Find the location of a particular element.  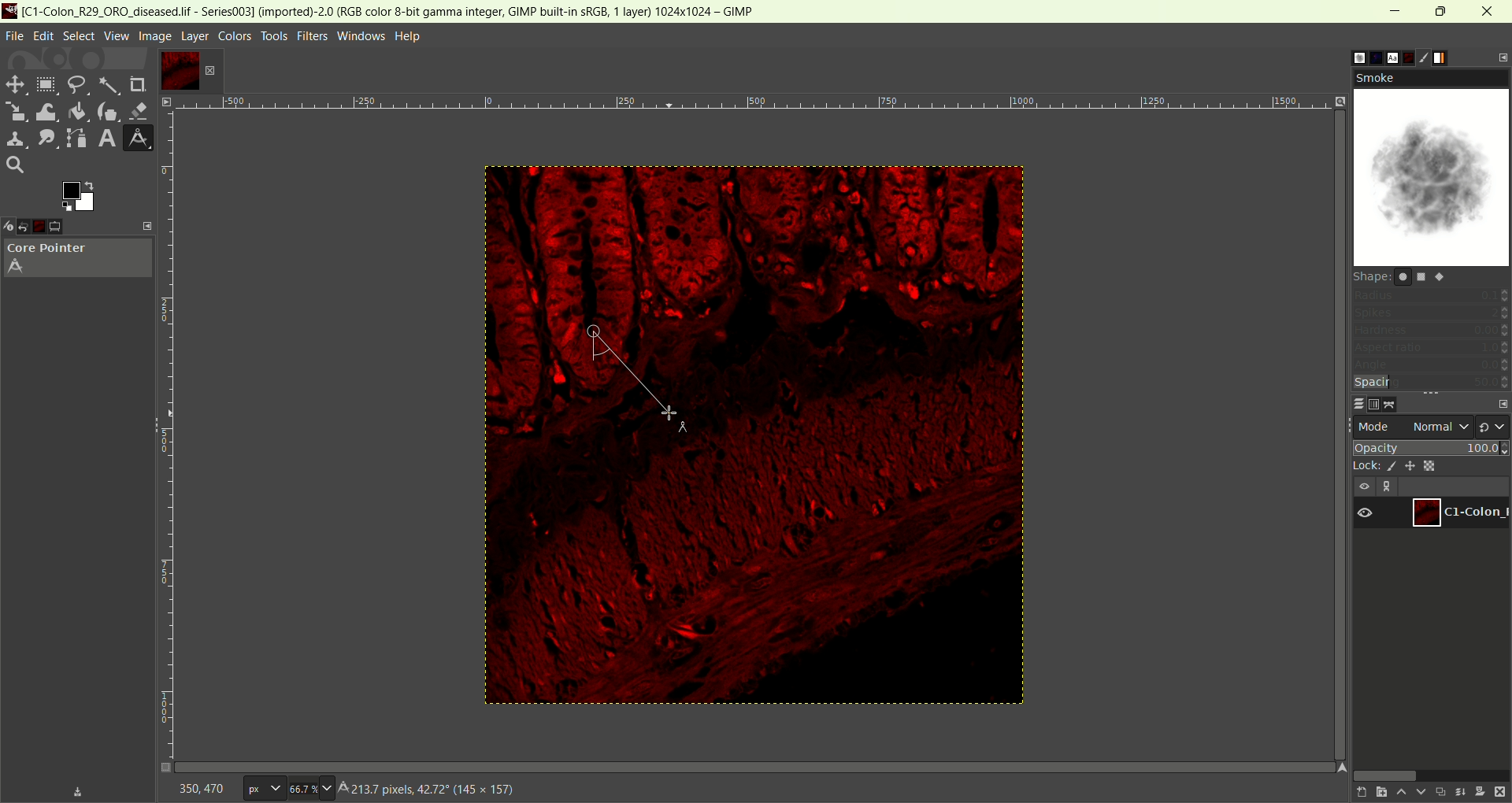

text tool is located at coordinates (106, 139).